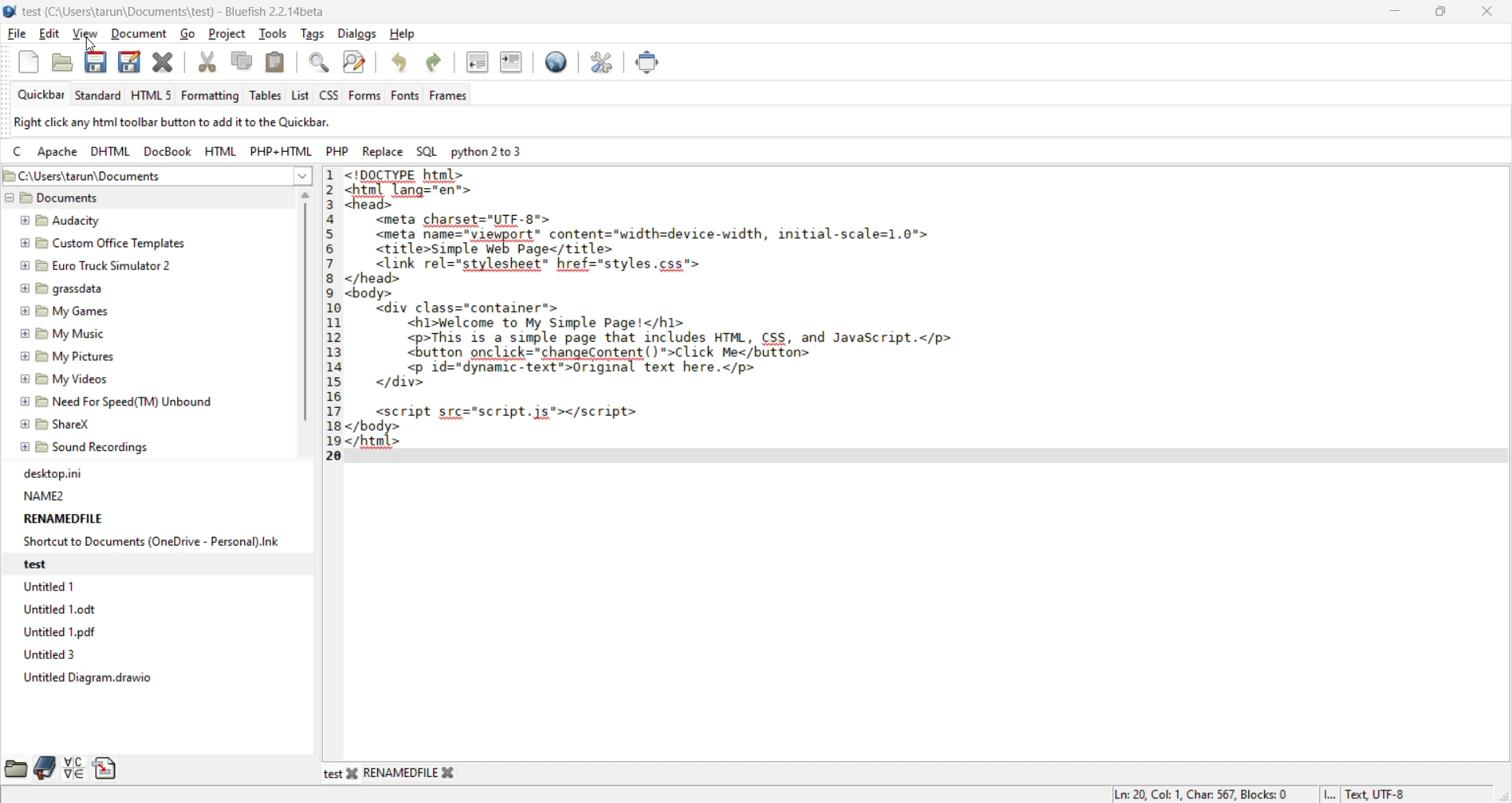 This screenshot has width=1512, height=803. I want to click on Untitled 1.odt, so click(64, 612).